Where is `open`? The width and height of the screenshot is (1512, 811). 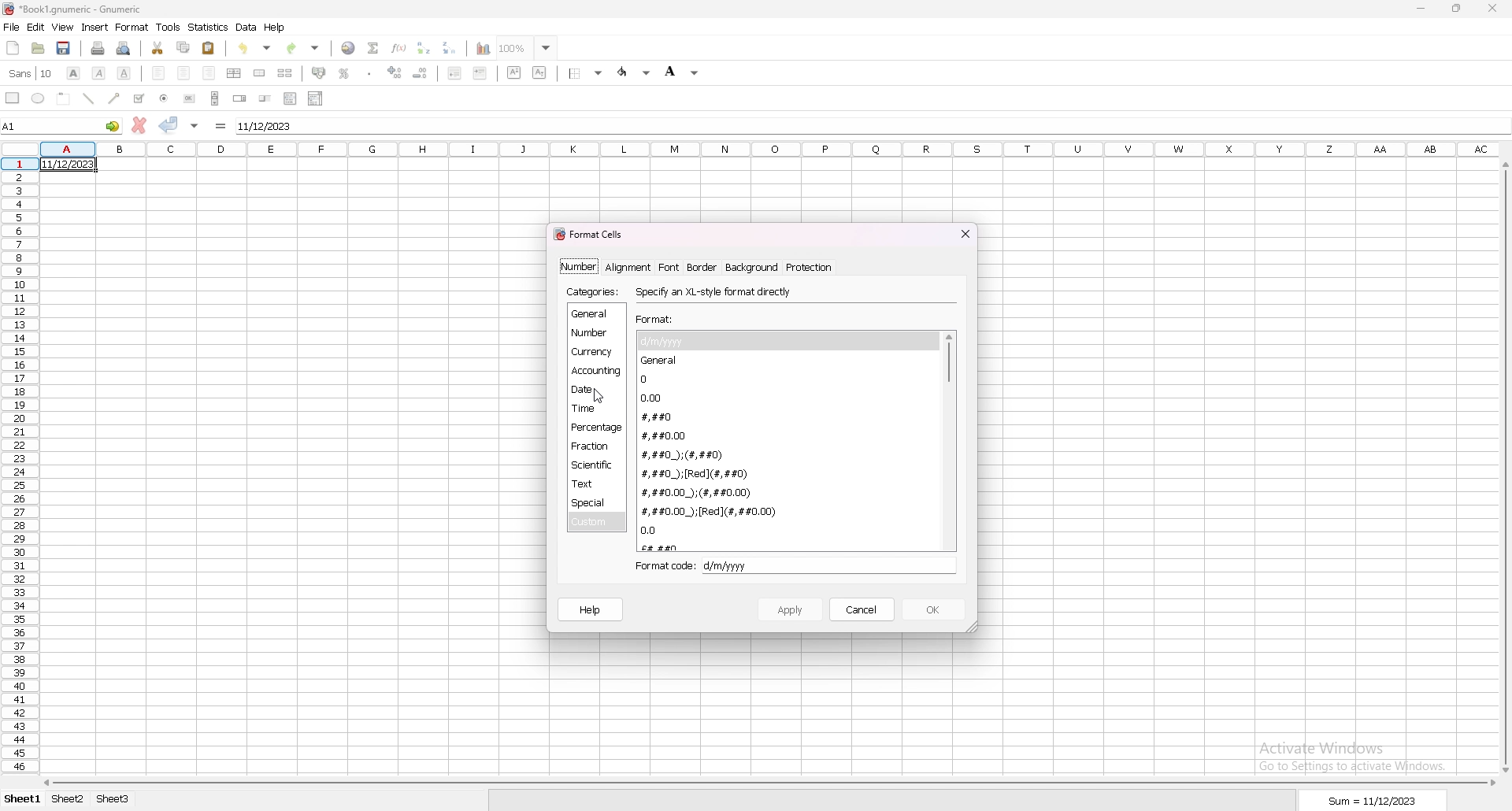 open is located at coordinates (38, 47).